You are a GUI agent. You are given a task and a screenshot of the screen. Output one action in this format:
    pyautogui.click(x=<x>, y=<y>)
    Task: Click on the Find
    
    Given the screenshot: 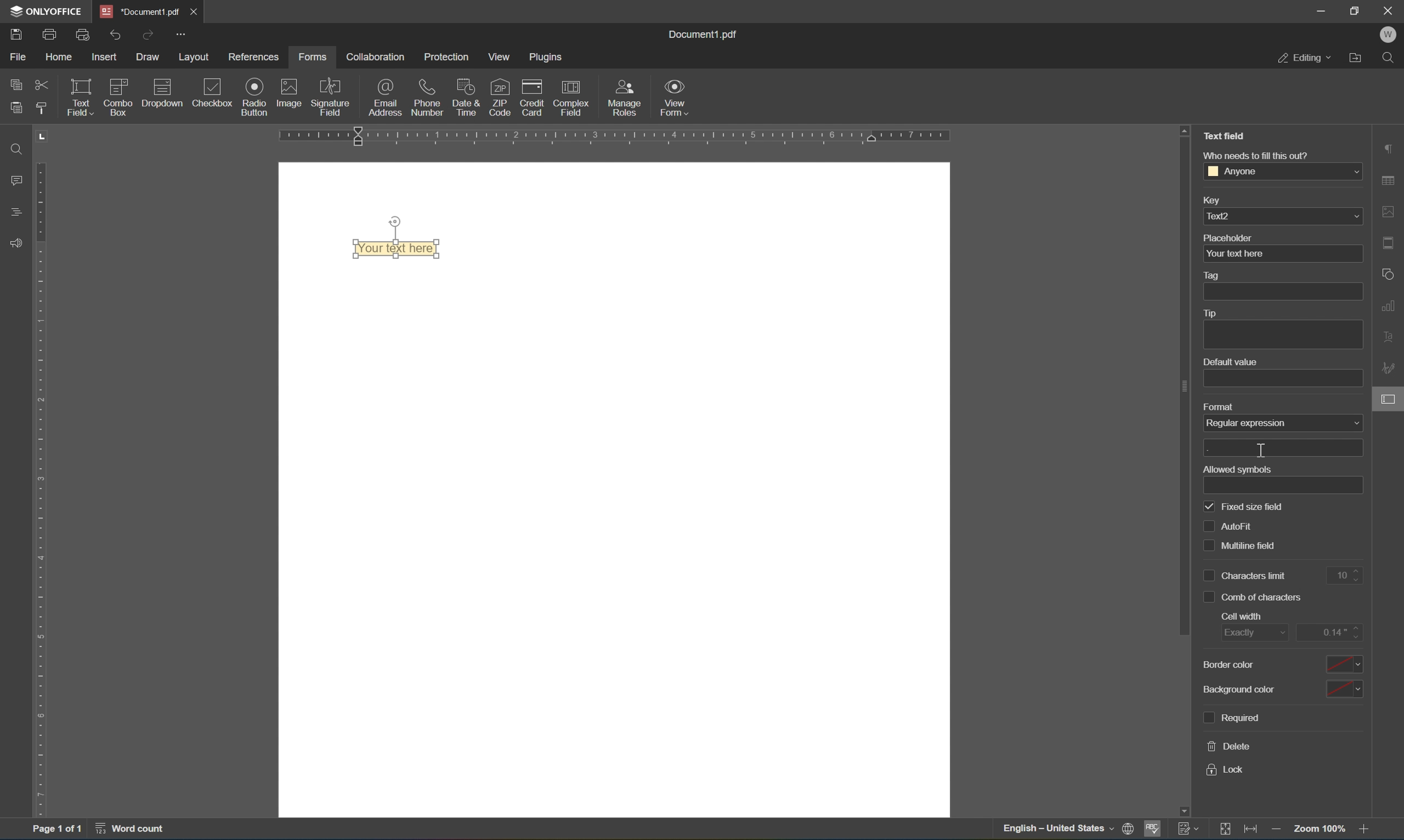 What is the action you would take?
    pyautogui.click(x=18, y=150)
    